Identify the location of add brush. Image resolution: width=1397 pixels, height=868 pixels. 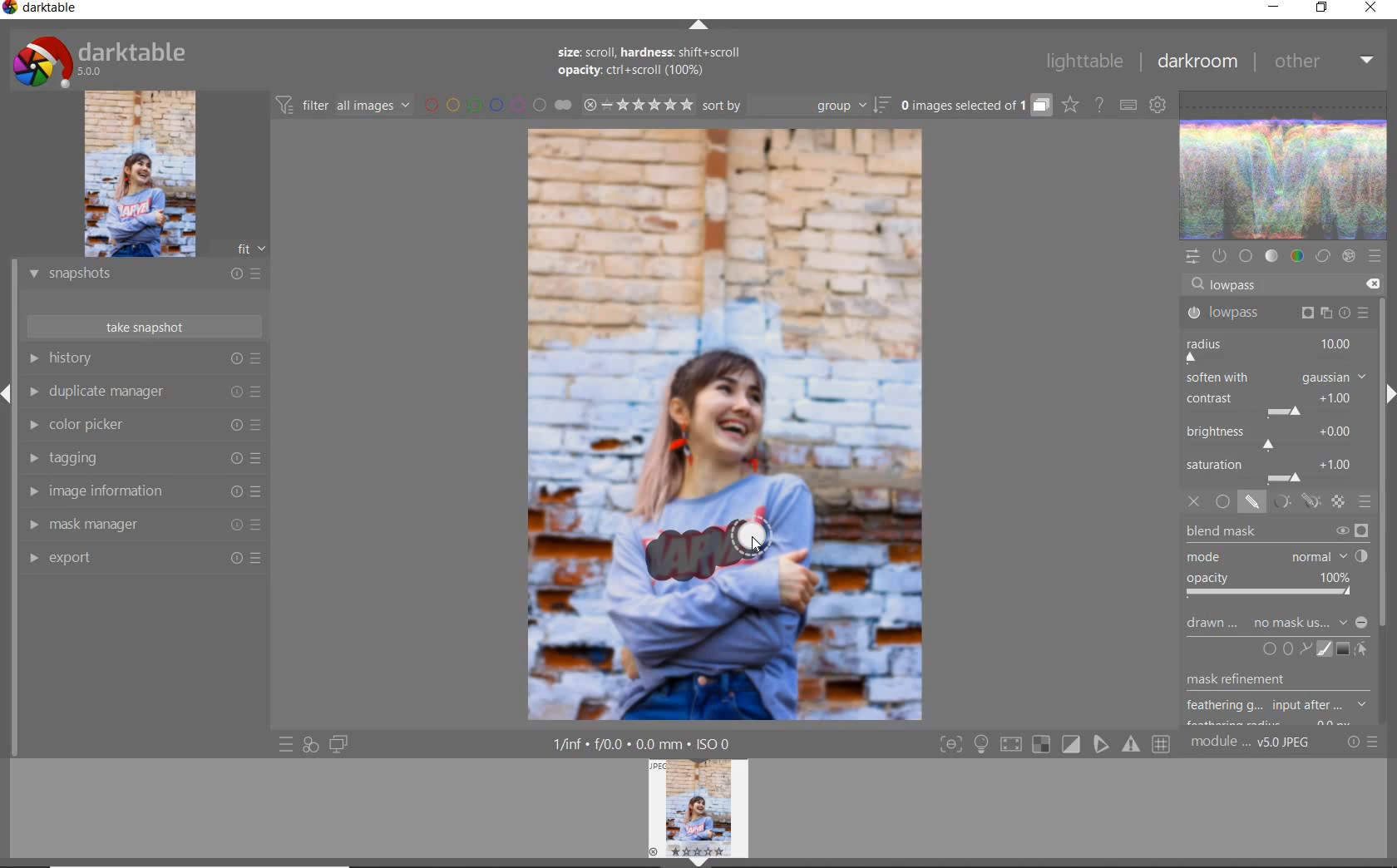
(1322, 649).